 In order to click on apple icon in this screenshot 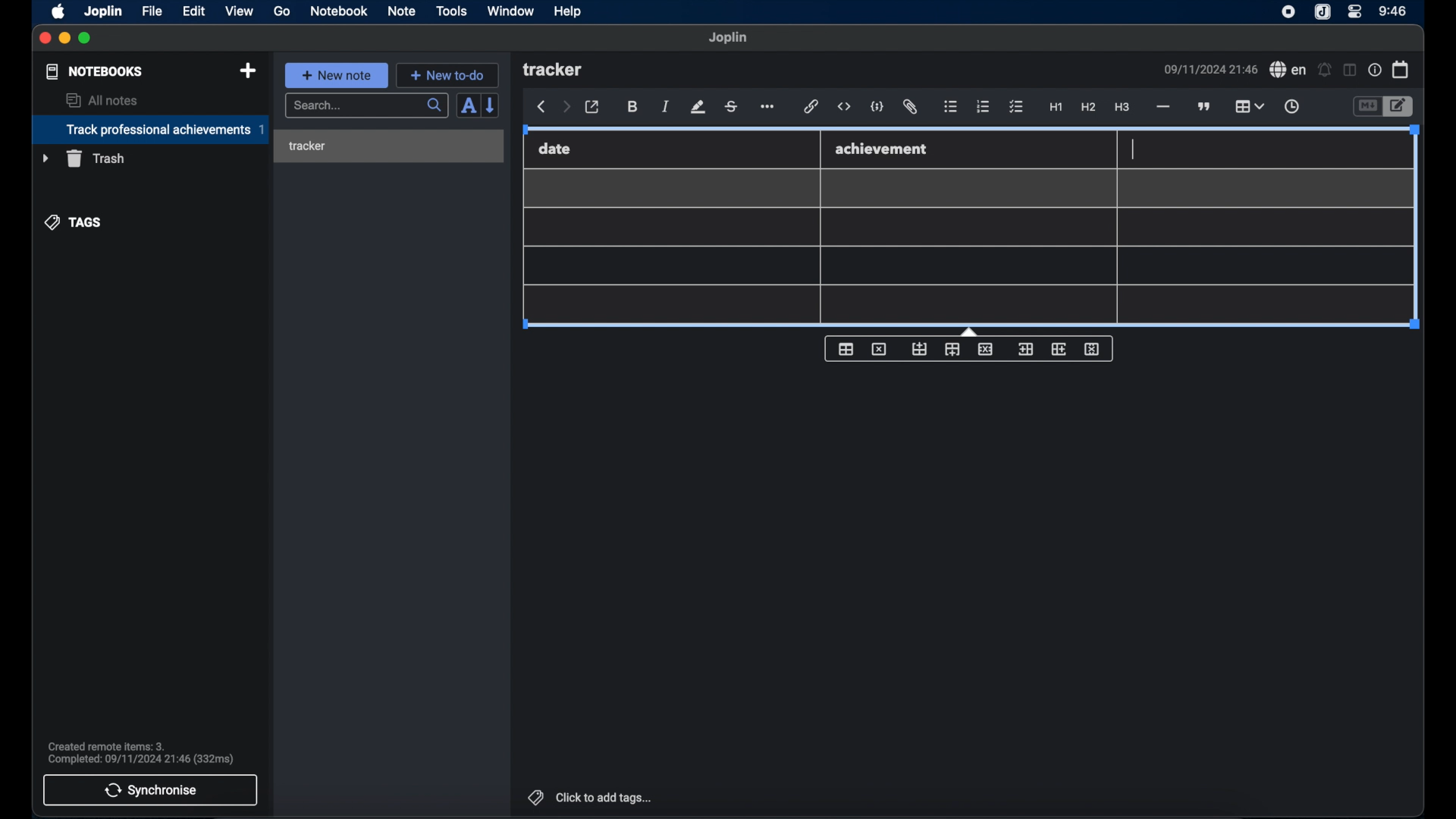, I will do `click(59, 11)`.